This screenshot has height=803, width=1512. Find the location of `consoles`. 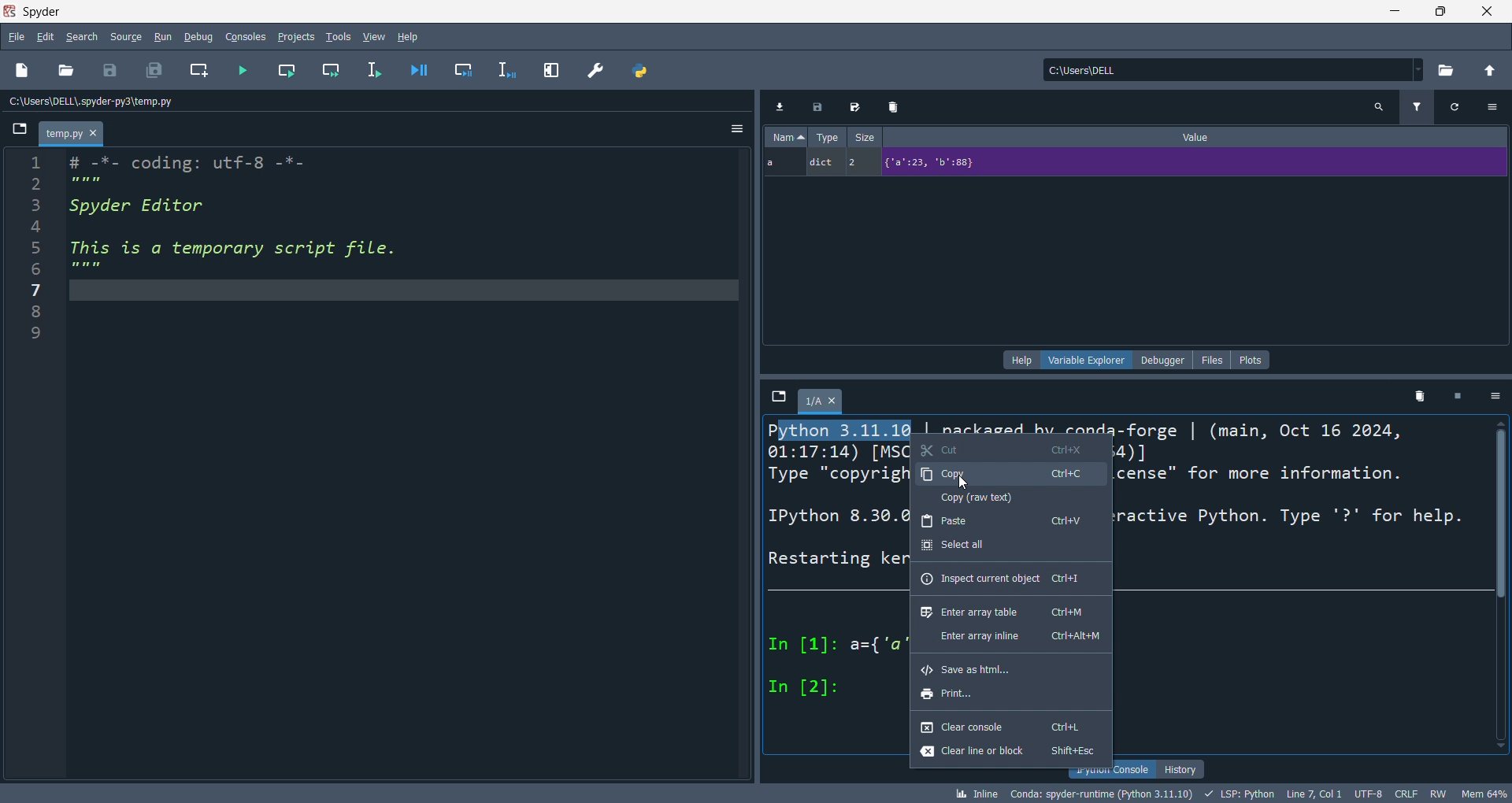

consoles is located at coordinates (250, 36).